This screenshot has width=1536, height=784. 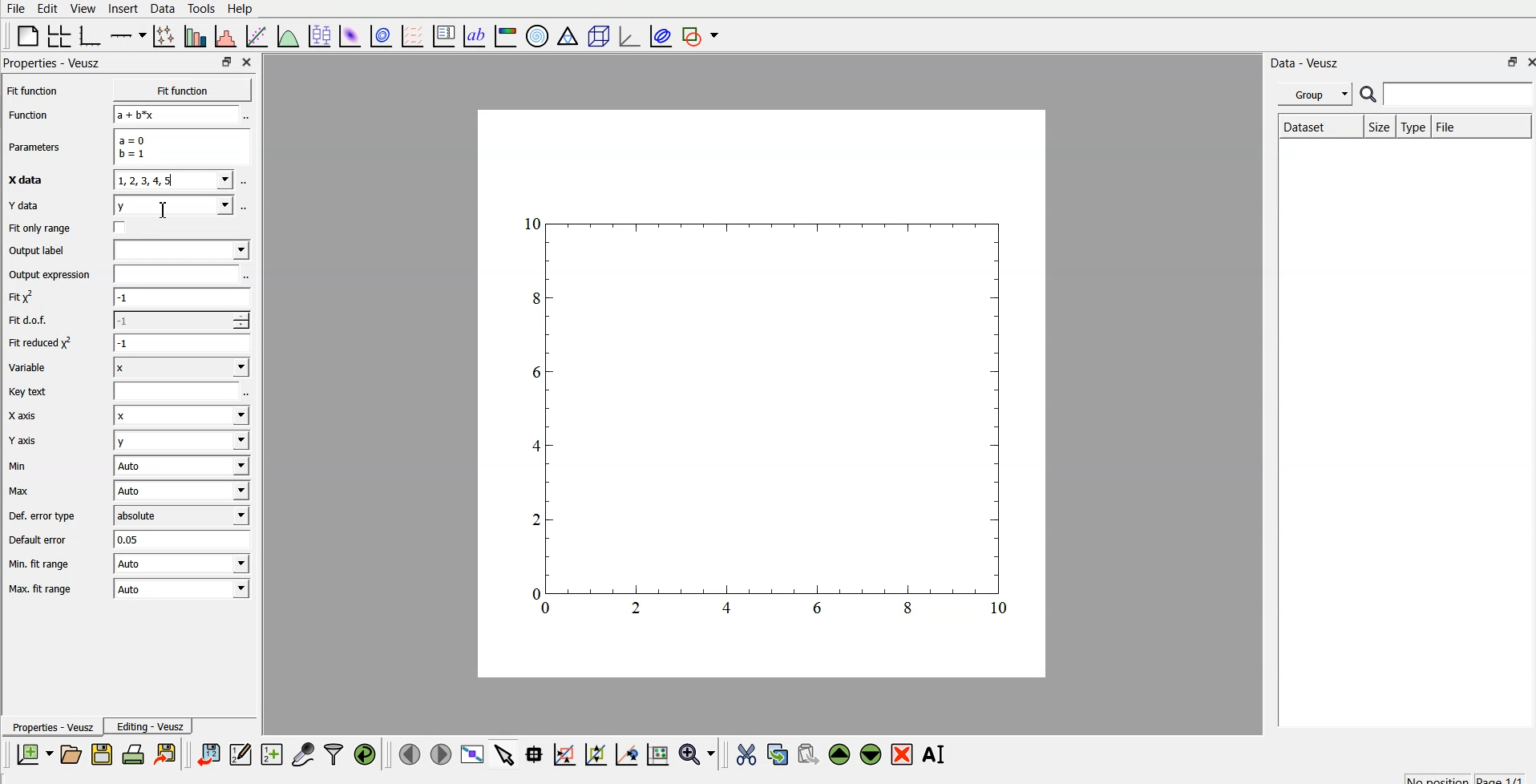 What do you see at coordinates (27, 755) in the screenshot?
I see `new document` at bounding box center [27, 755].